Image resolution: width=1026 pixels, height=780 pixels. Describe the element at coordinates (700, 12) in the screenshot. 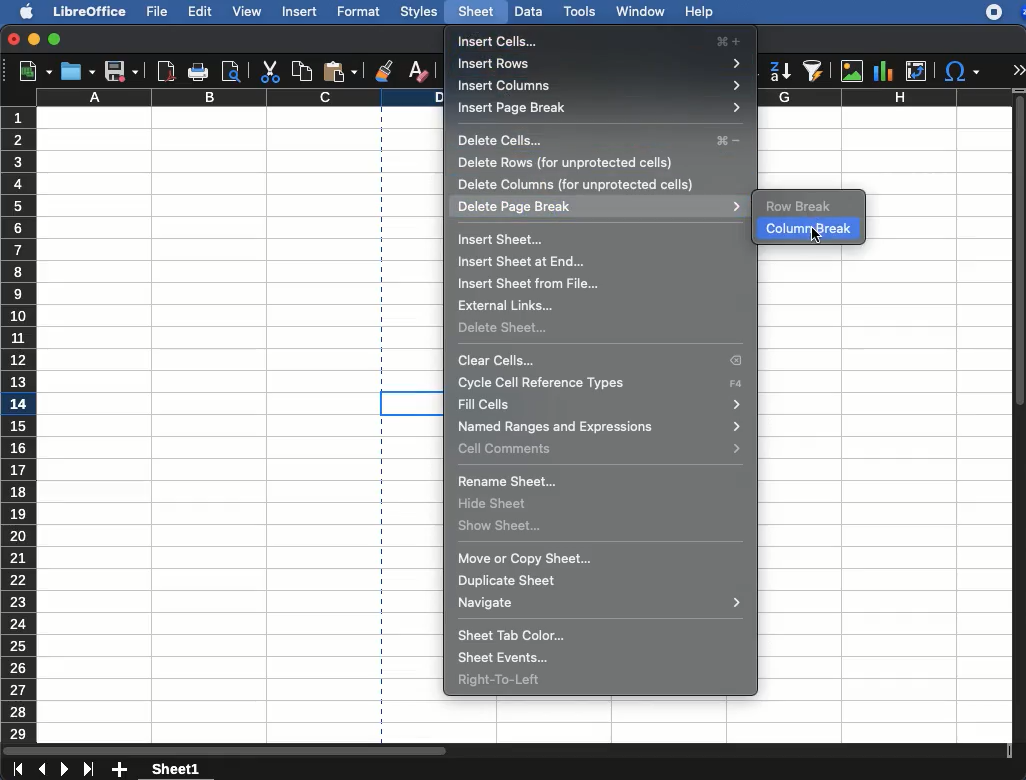

I see `help` at that location.